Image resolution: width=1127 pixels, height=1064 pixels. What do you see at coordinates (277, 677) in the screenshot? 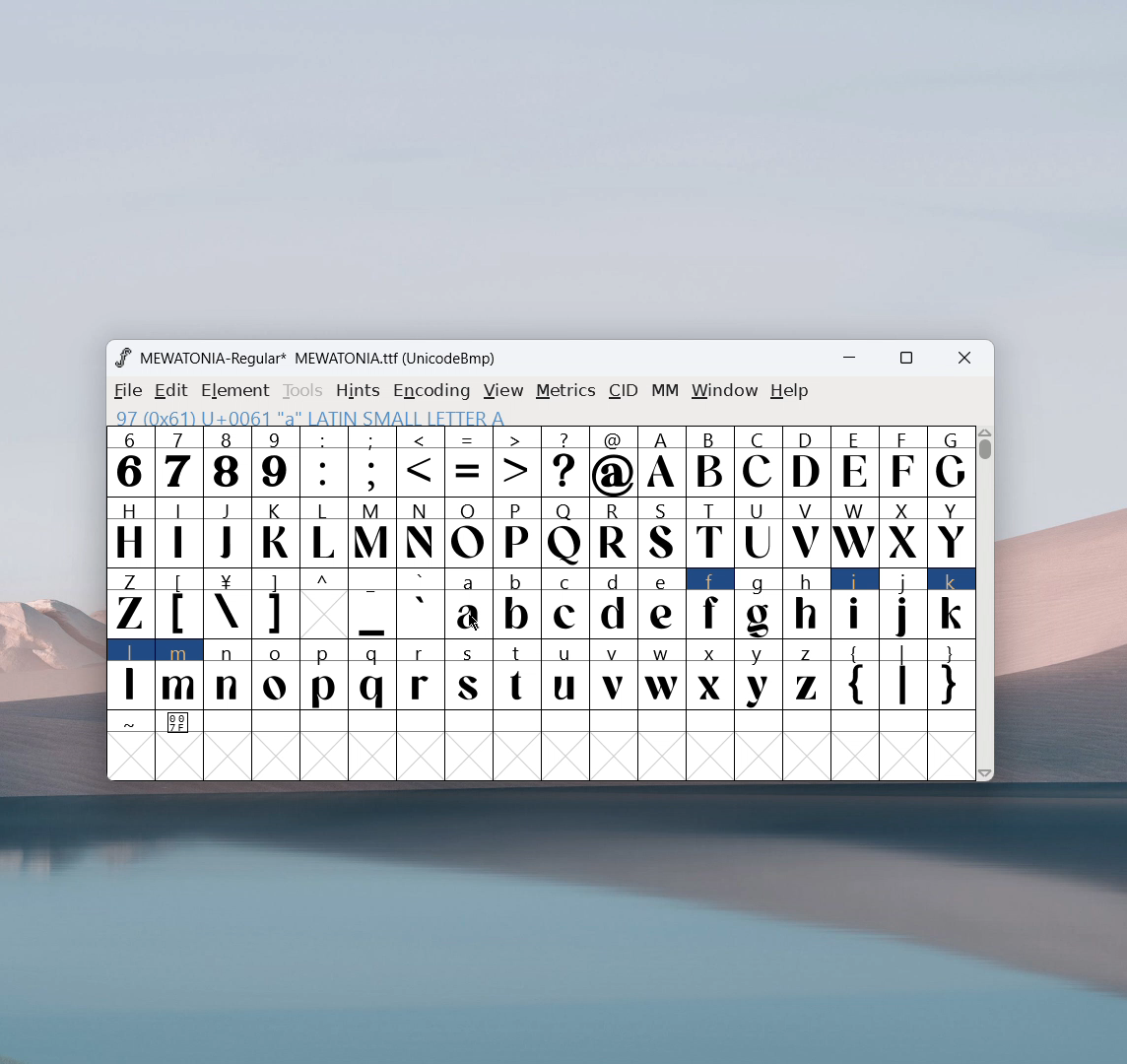
I see `o` at bounding box center [277, 677].